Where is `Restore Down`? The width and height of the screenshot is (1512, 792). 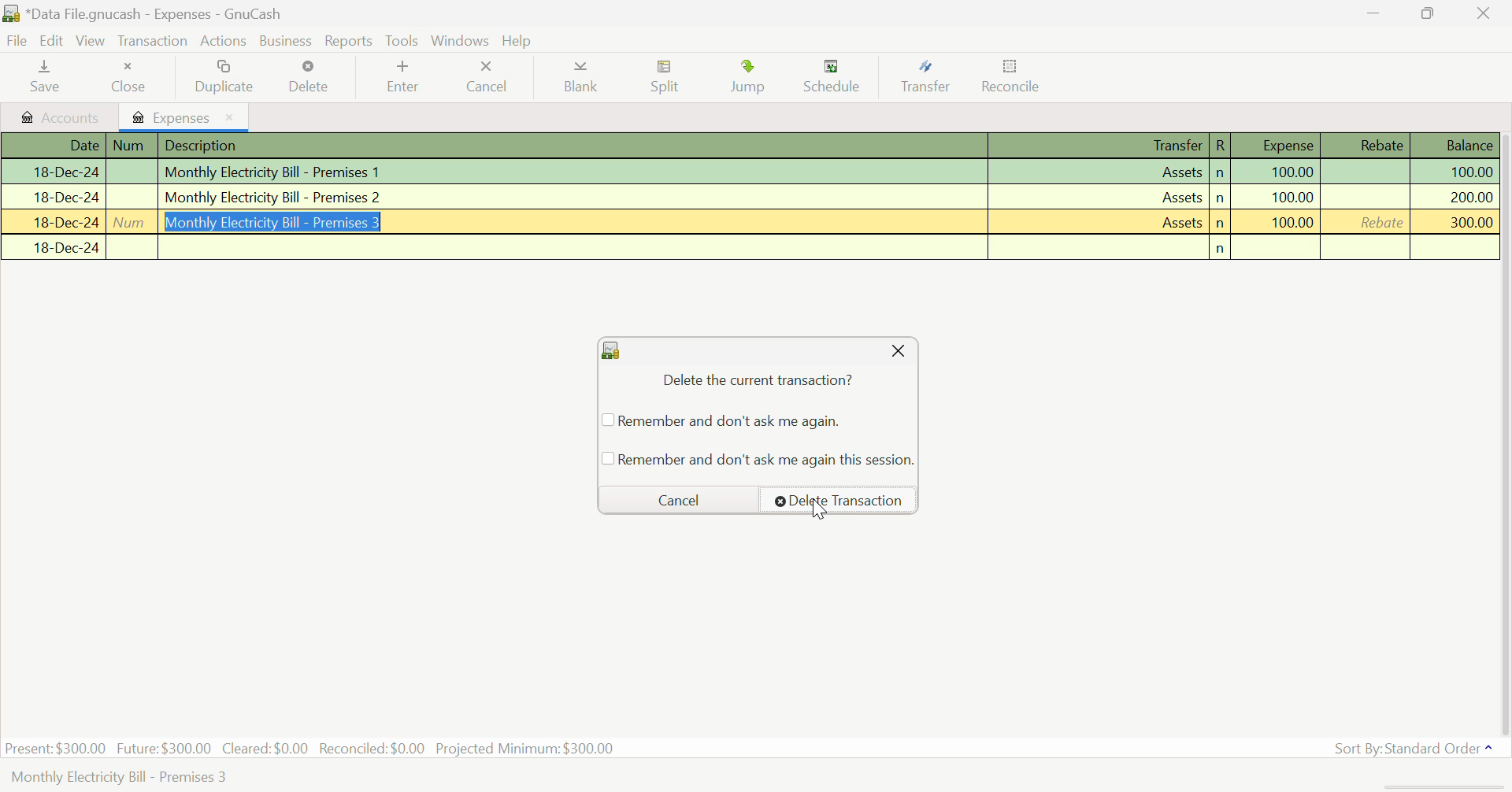 Restore Down is located at coordinates (1371, 12).